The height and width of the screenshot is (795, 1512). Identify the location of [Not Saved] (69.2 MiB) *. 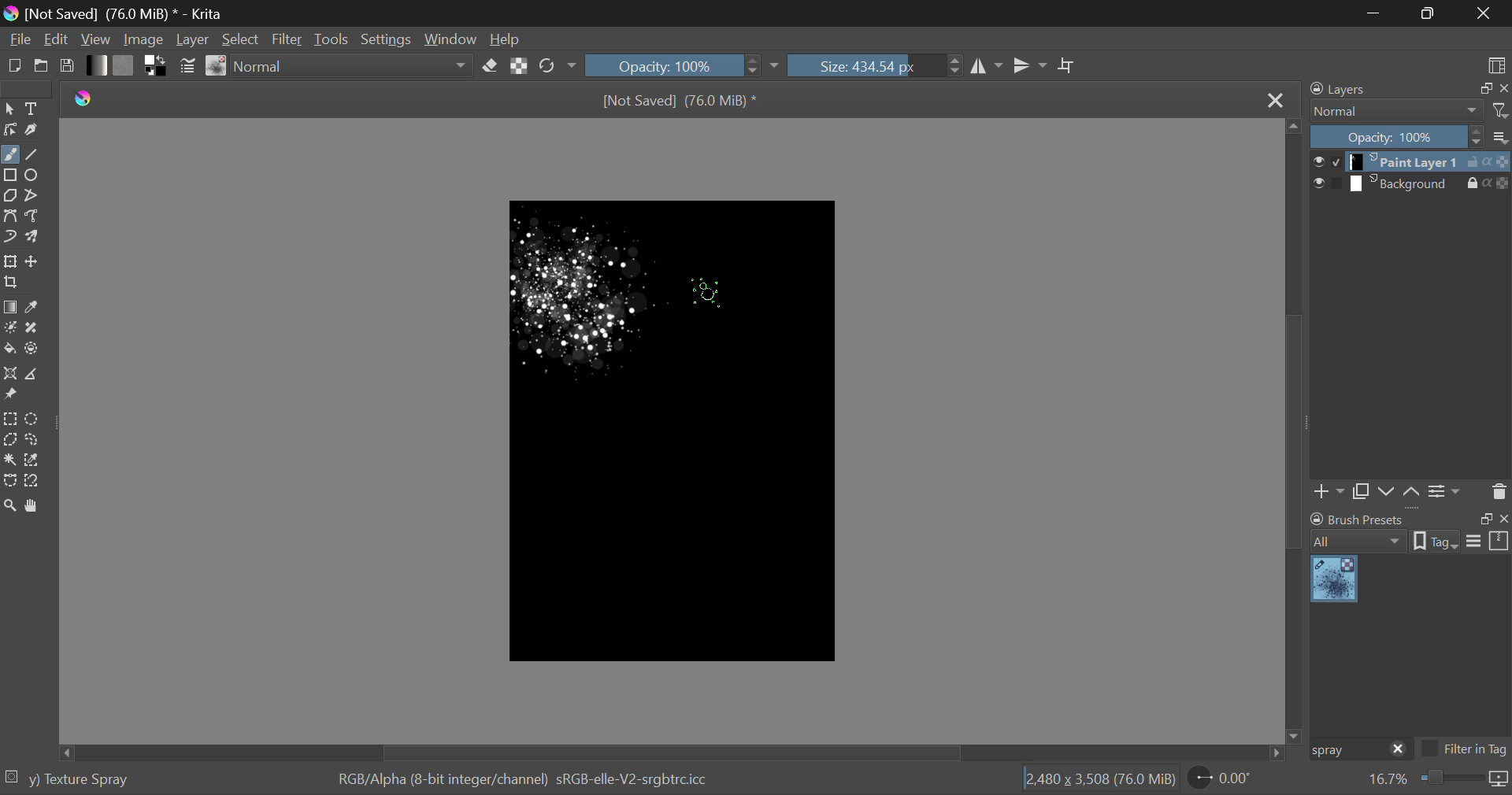
(680, 102).